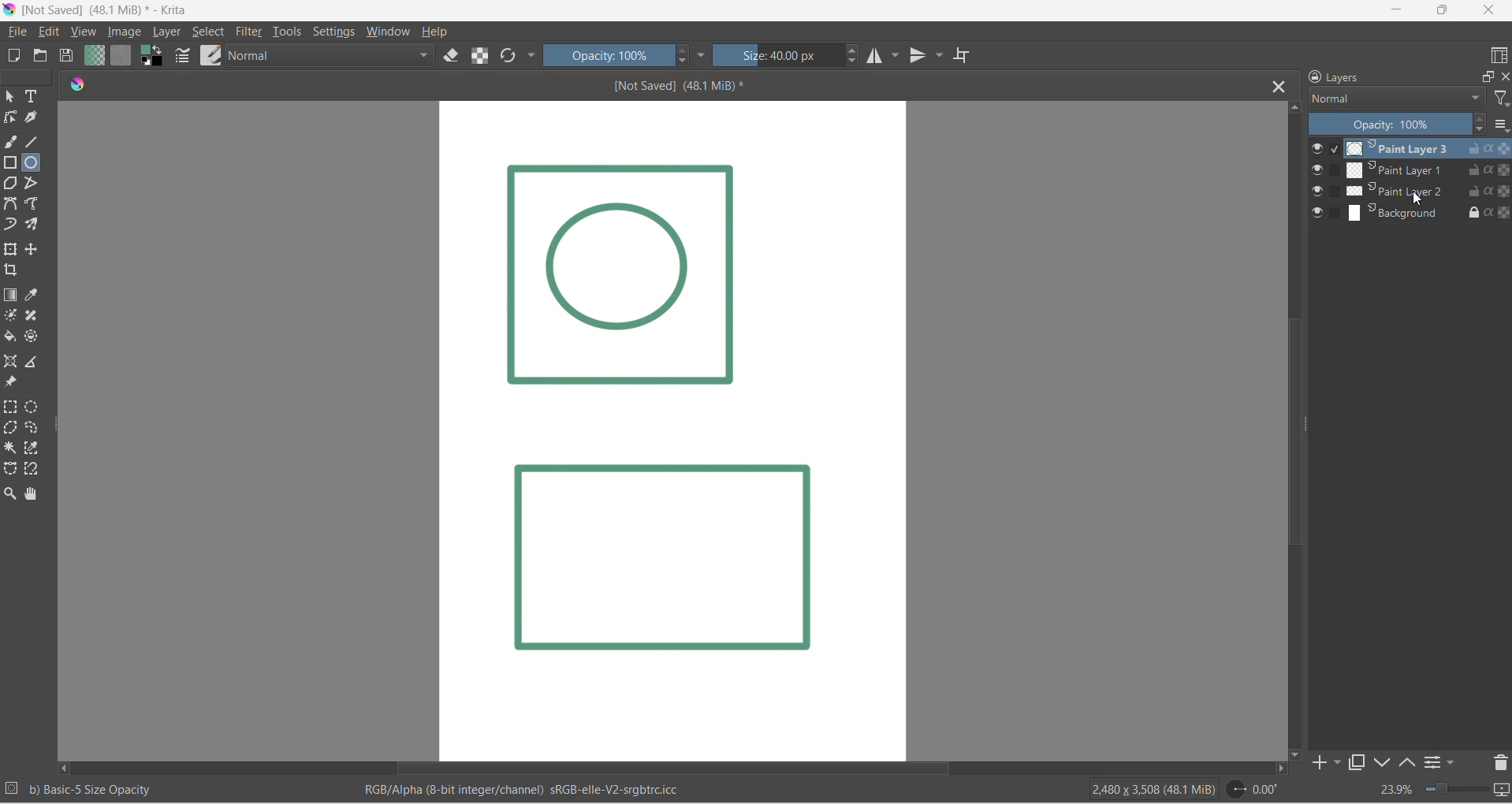 This screenshot has height=804, width=1512. Describe the element at coordinates (210, 56) in the screenshot. I see `brush preset` at that location.